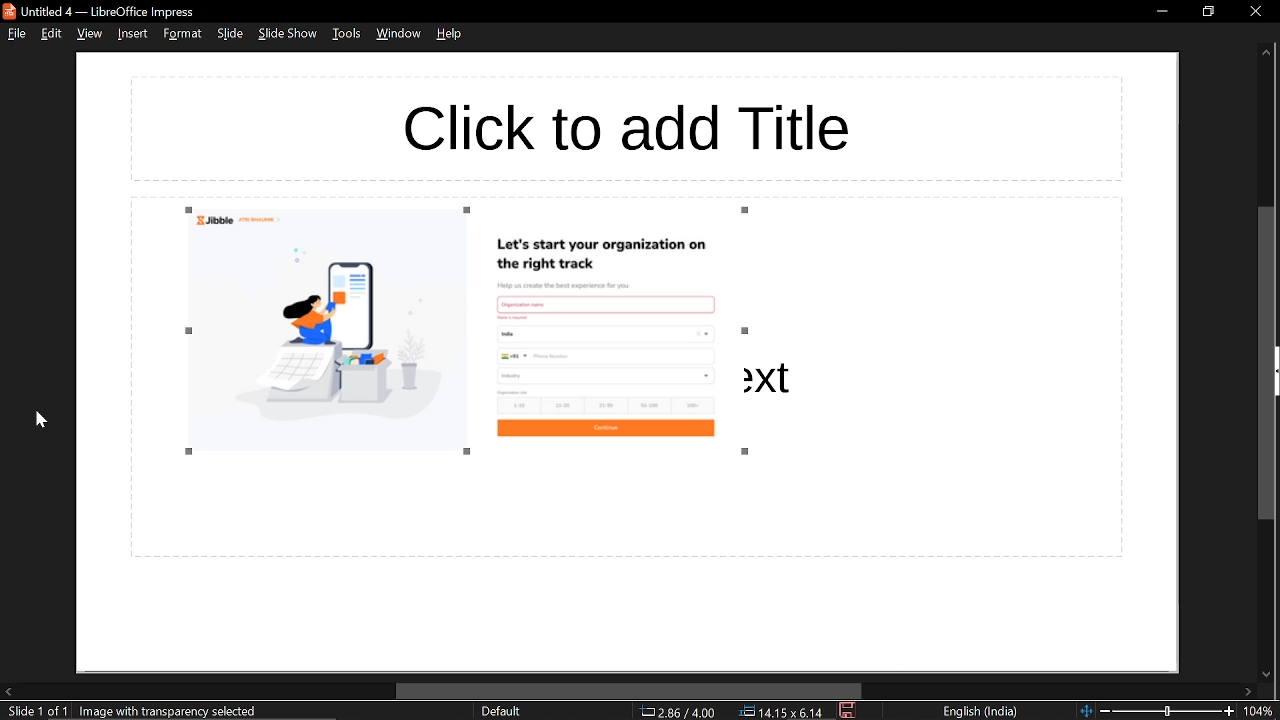 This screenshot has width=1280, height=720. I want to click on move left, so click(8, 691).